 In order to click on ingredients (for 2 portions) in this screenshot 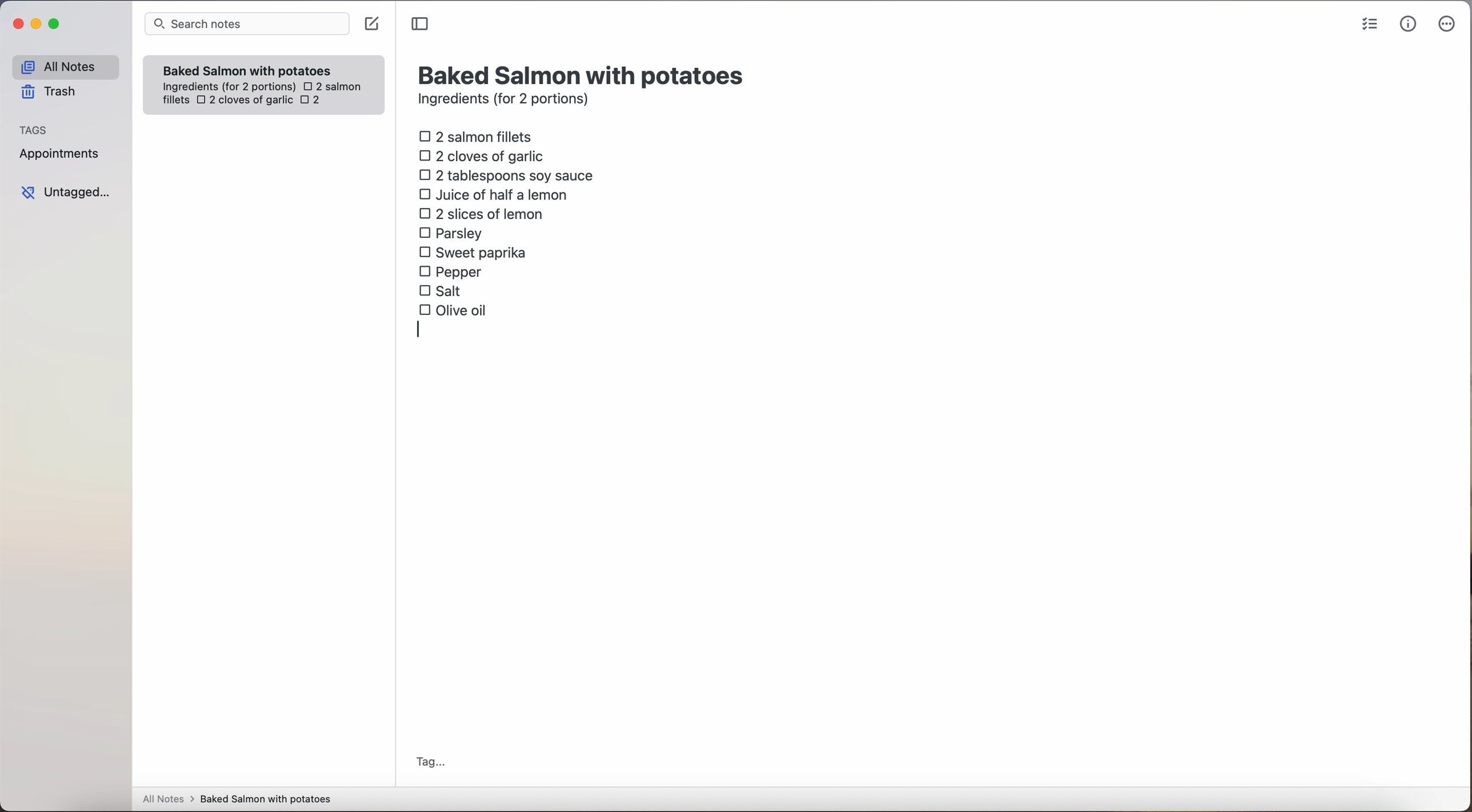, I will do `click(507, 101)`.